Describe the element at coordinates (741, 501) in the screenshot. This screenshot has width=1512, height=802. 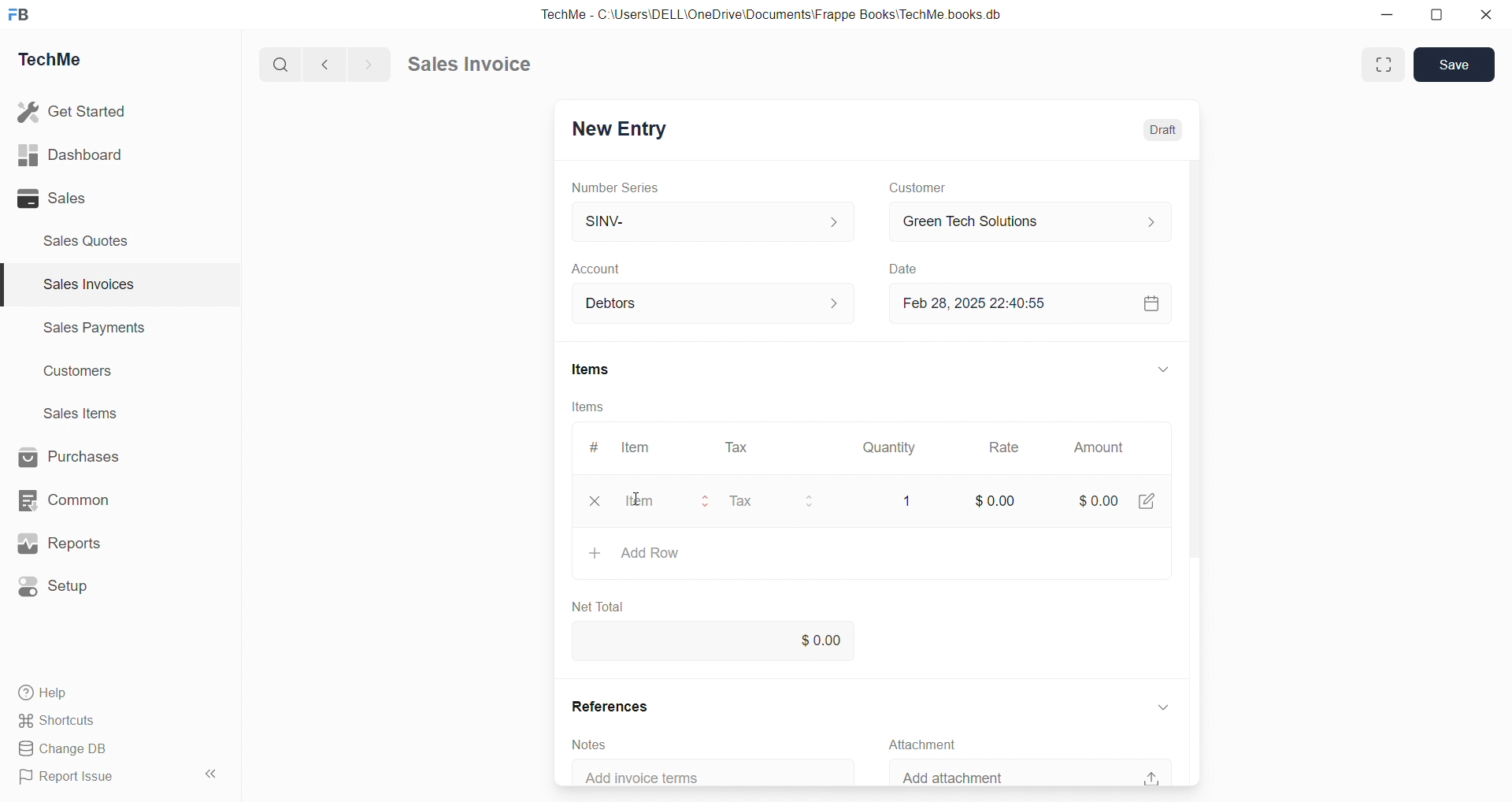
I see `Tax` at that location.